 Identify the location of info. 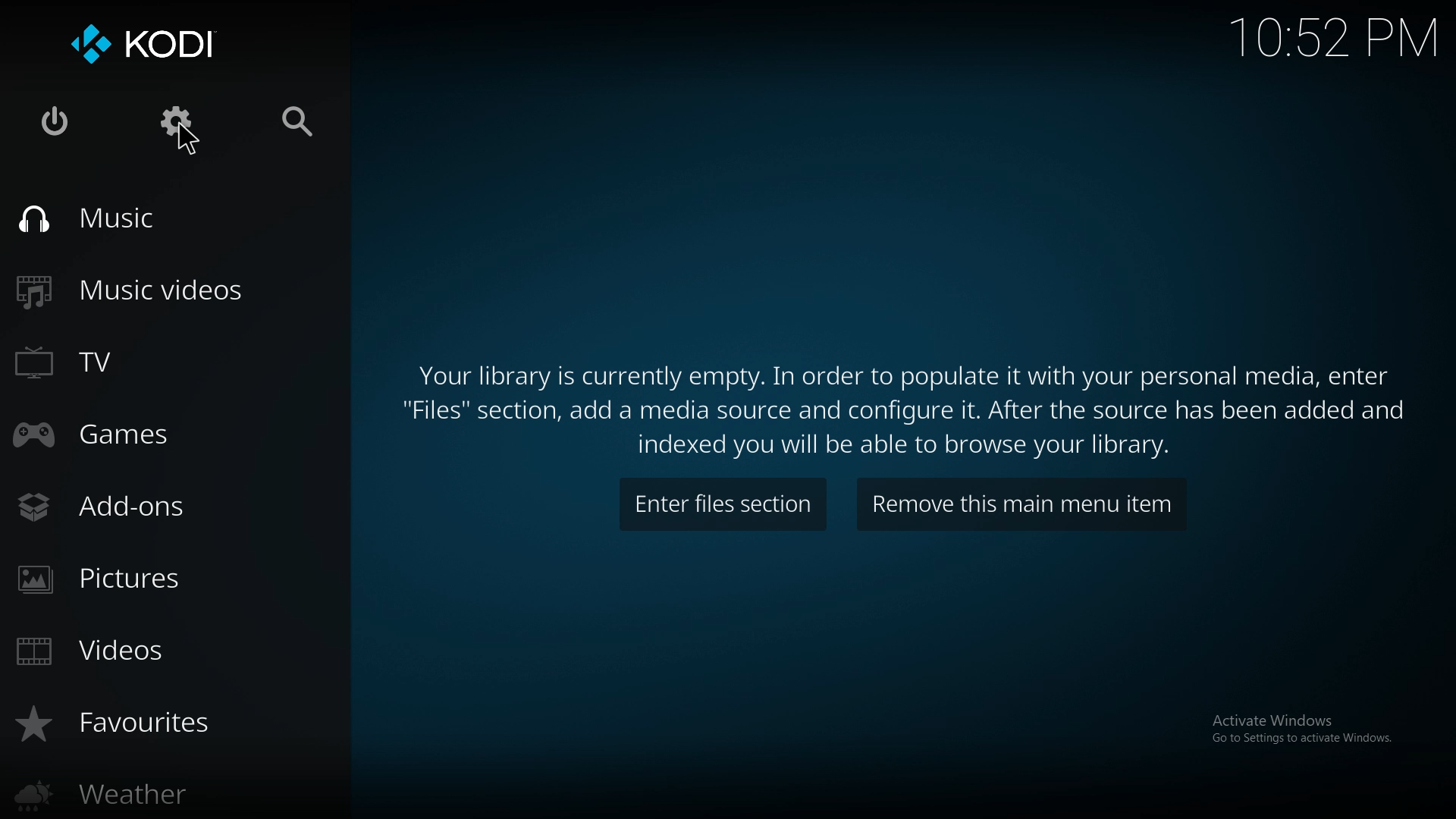
(908, 409).